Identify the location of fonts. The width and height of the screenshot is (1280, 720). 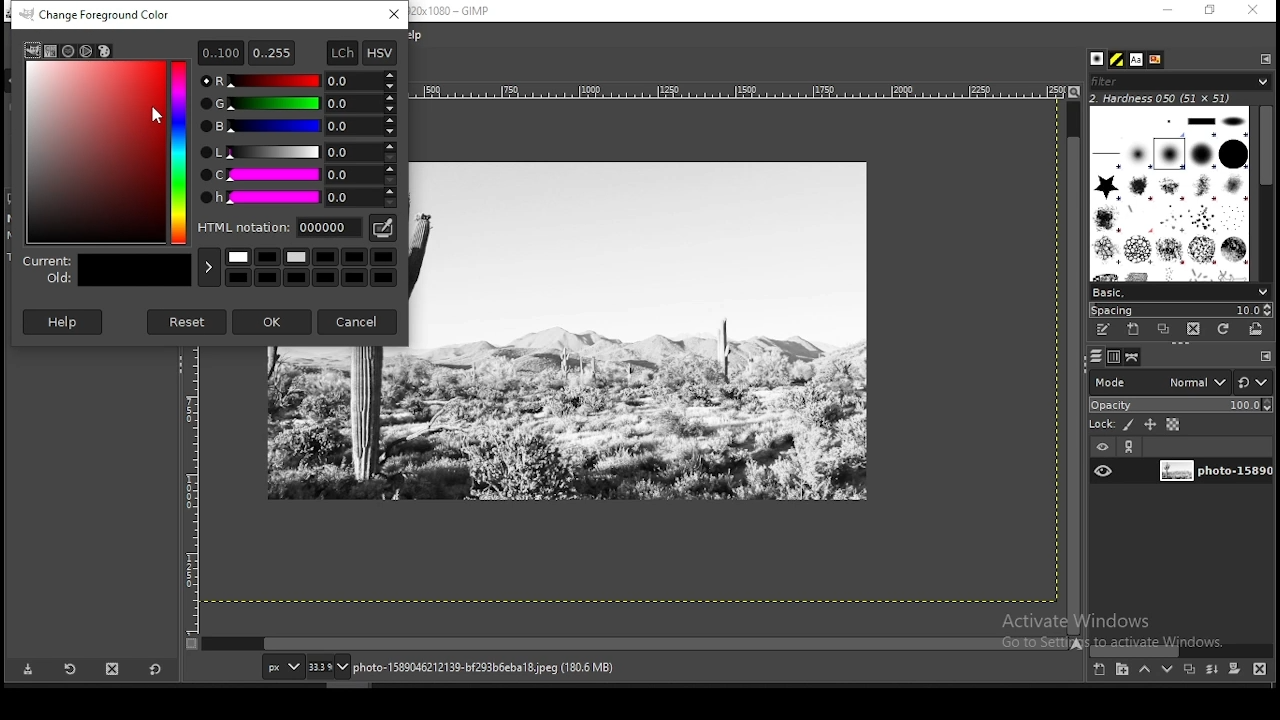
(1138, 59).